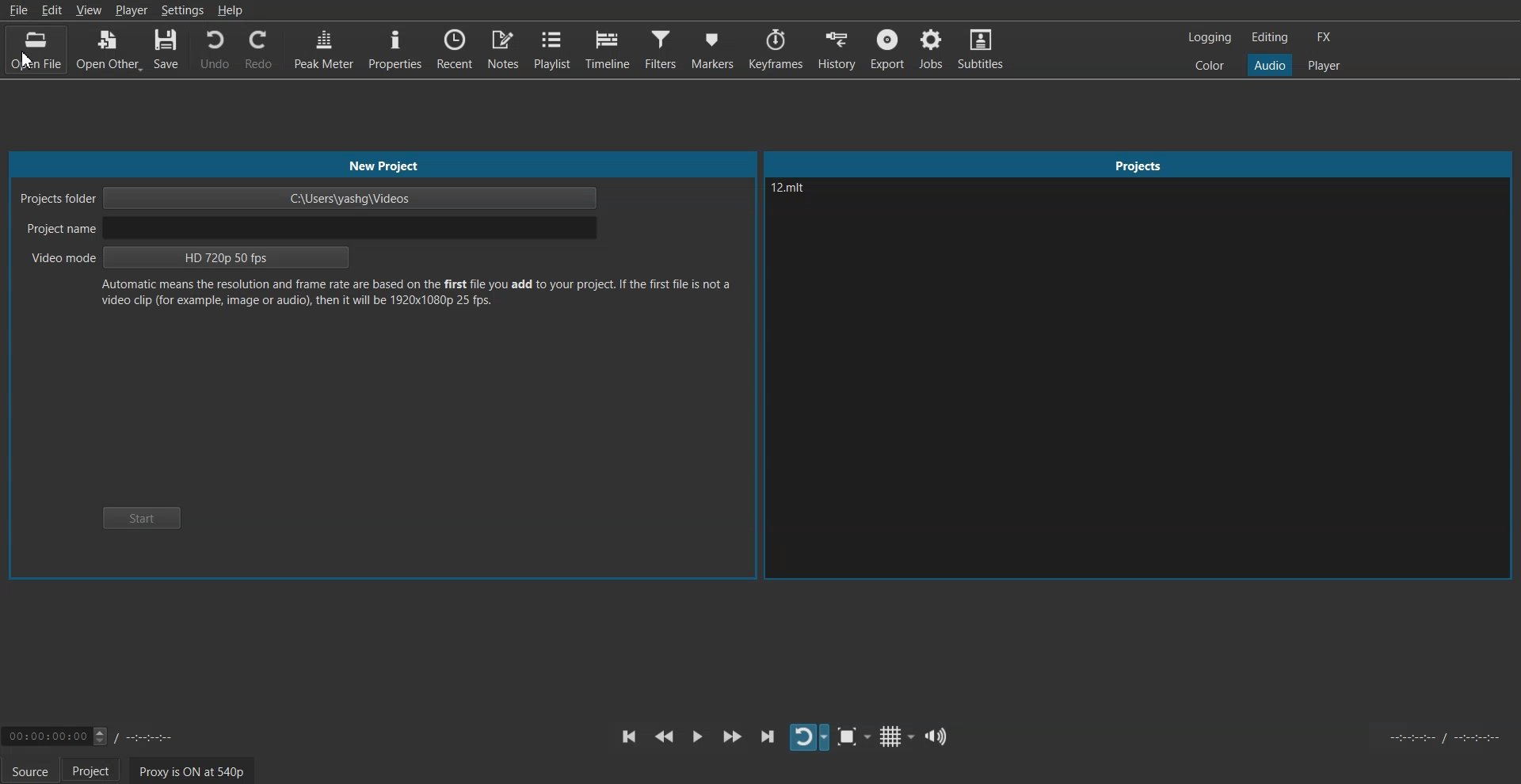 The height and width of the screenshot is (784, 1521). Describe the element at coordinates (107, 51) in the screenshot. I see `Open Other` at that location.